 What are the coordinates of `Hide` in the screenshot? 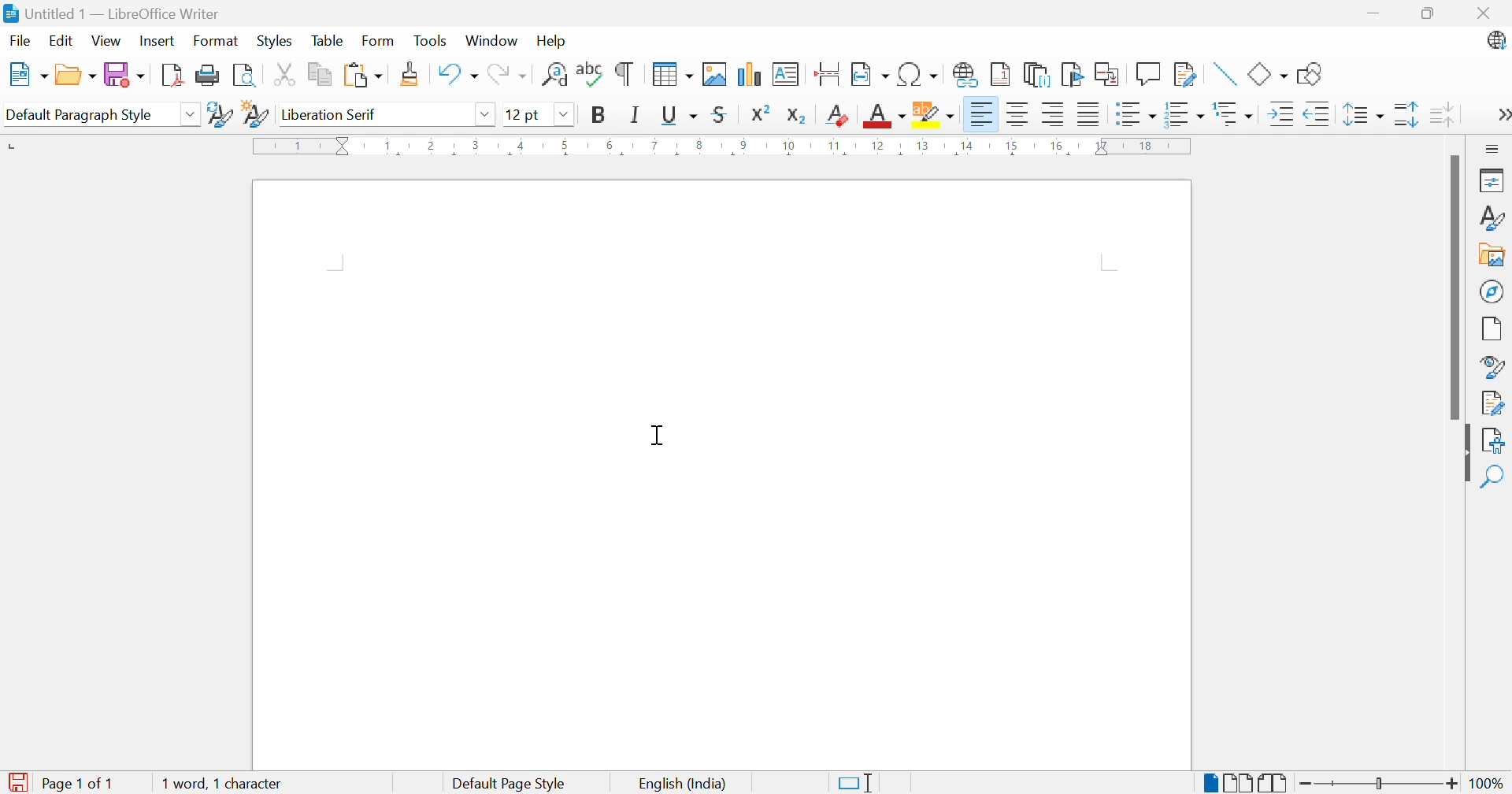 It's located at (1464, 454).